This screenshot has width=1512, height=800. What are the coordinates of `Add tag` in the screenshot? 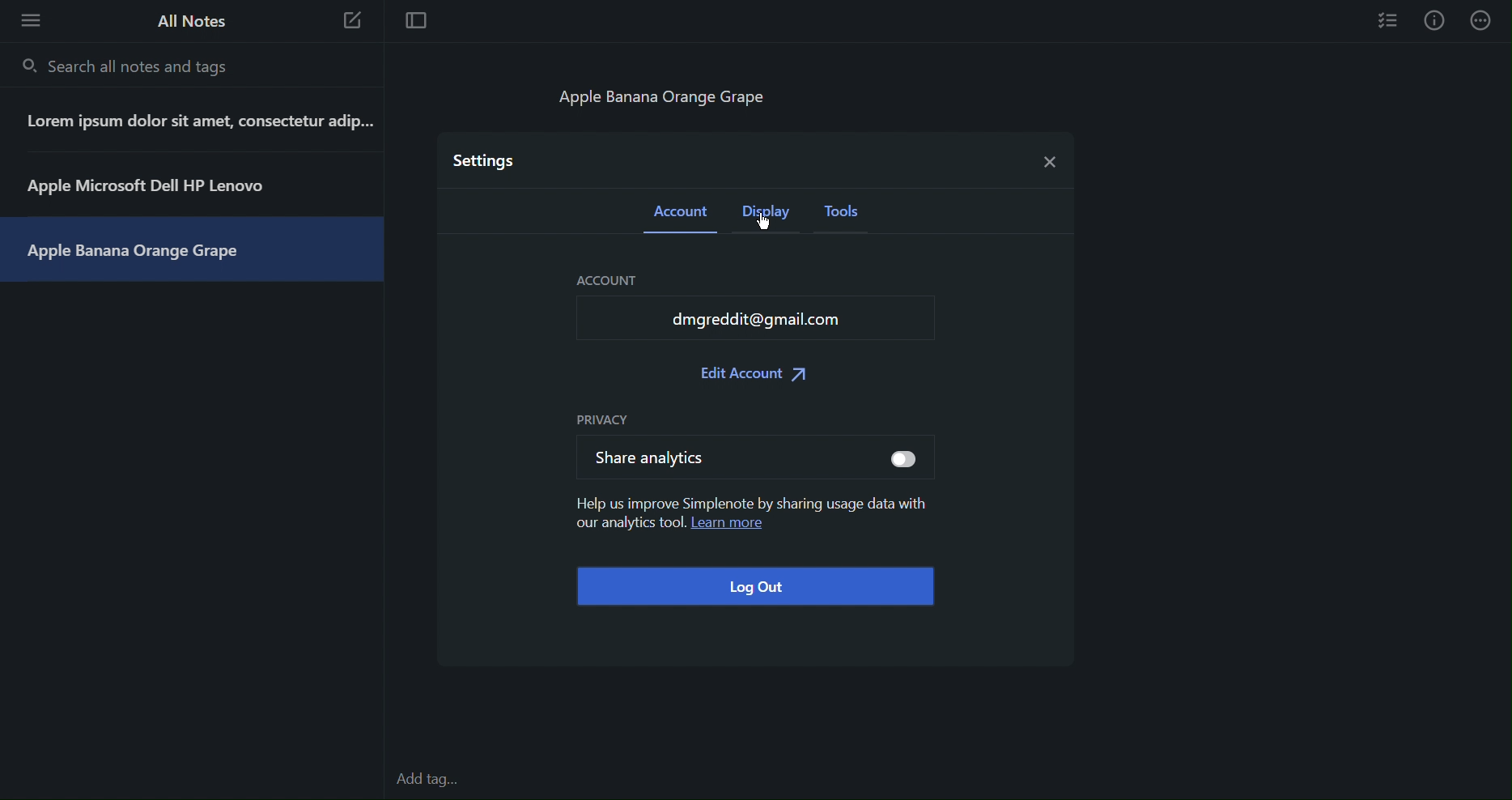 It's located at (435, 781).